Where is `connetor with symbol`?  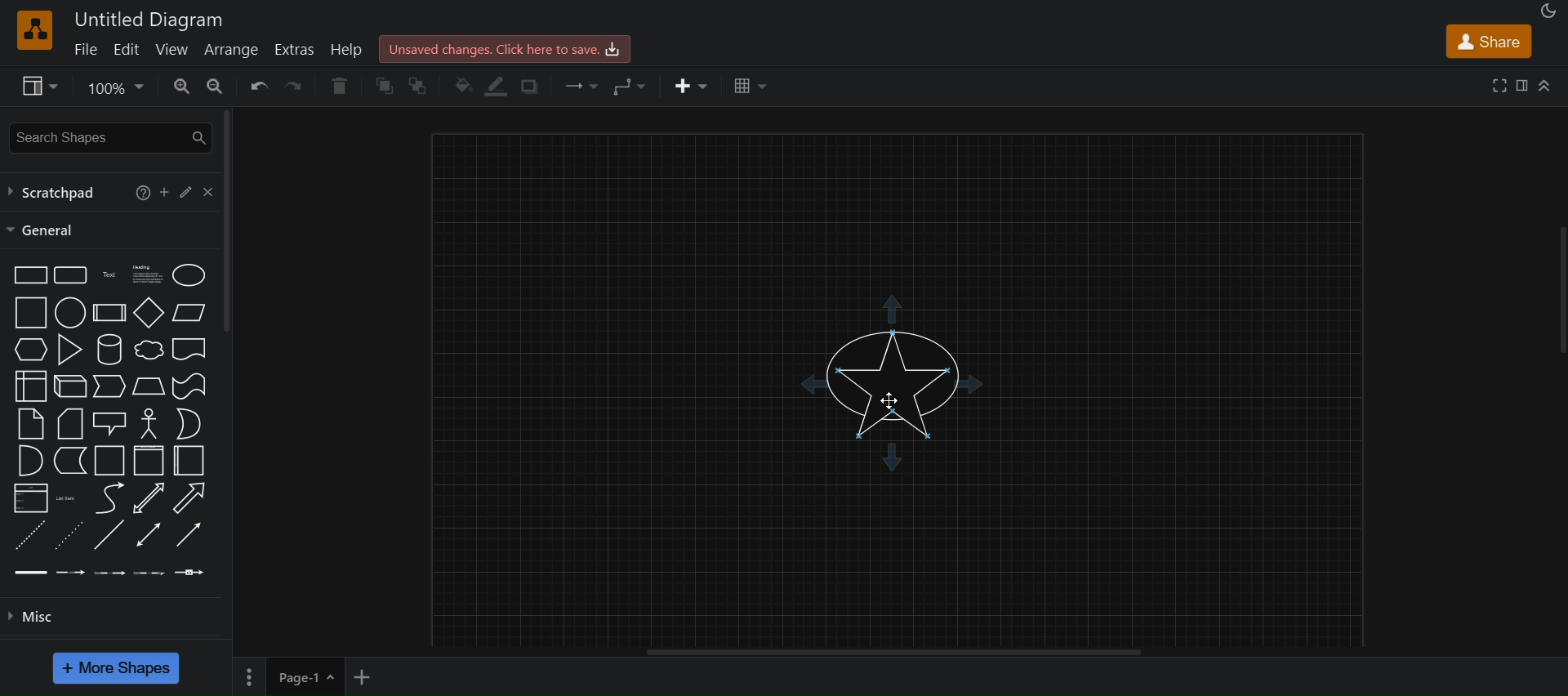
connetor with symbol is located at coordinates (192, 572).